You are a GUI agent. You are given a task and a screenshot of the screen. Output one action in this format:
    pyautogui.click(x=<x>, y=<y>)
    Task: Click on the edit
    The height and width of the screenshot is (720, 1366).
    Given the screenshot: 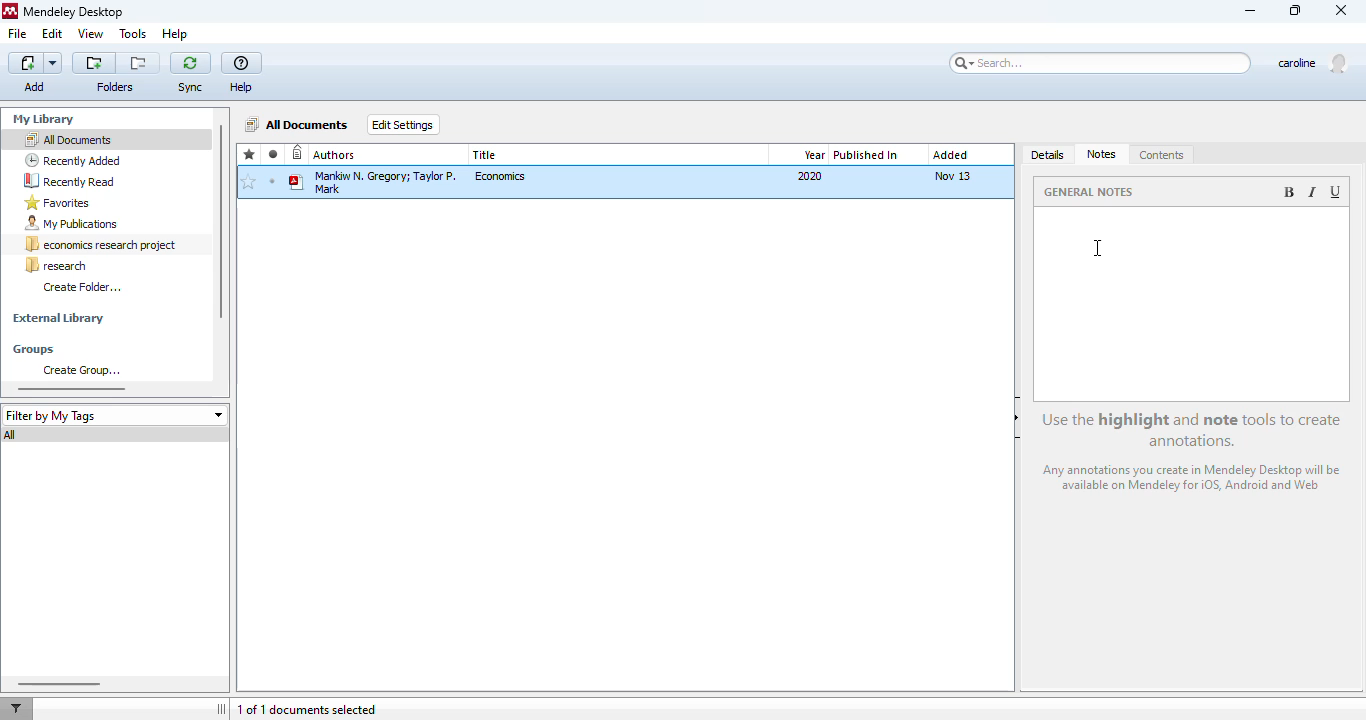 What is the action you would take?
    pyautogui.click(x=52, y=33)
    